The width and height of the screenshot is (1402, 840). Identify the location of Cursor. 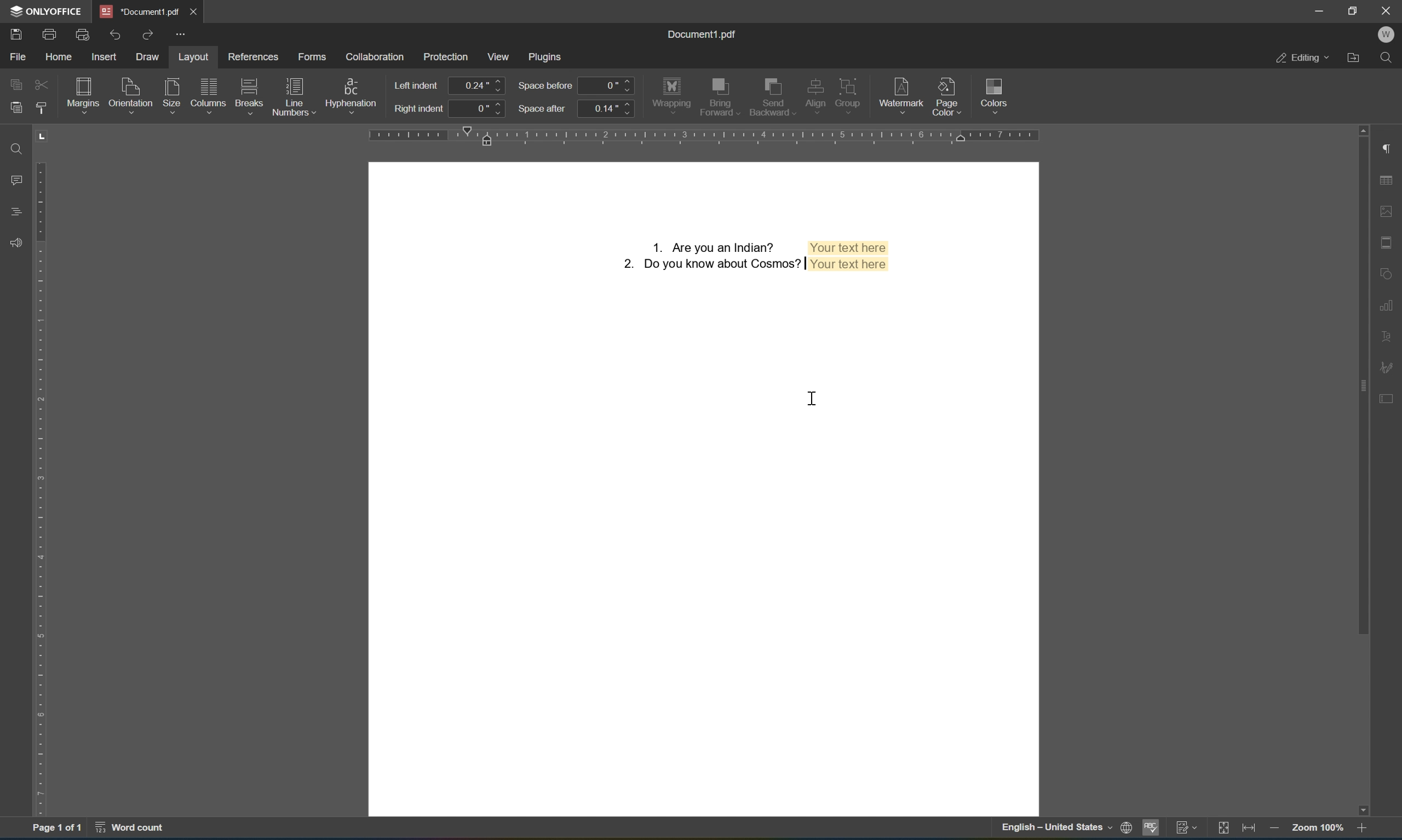
(815, 401).